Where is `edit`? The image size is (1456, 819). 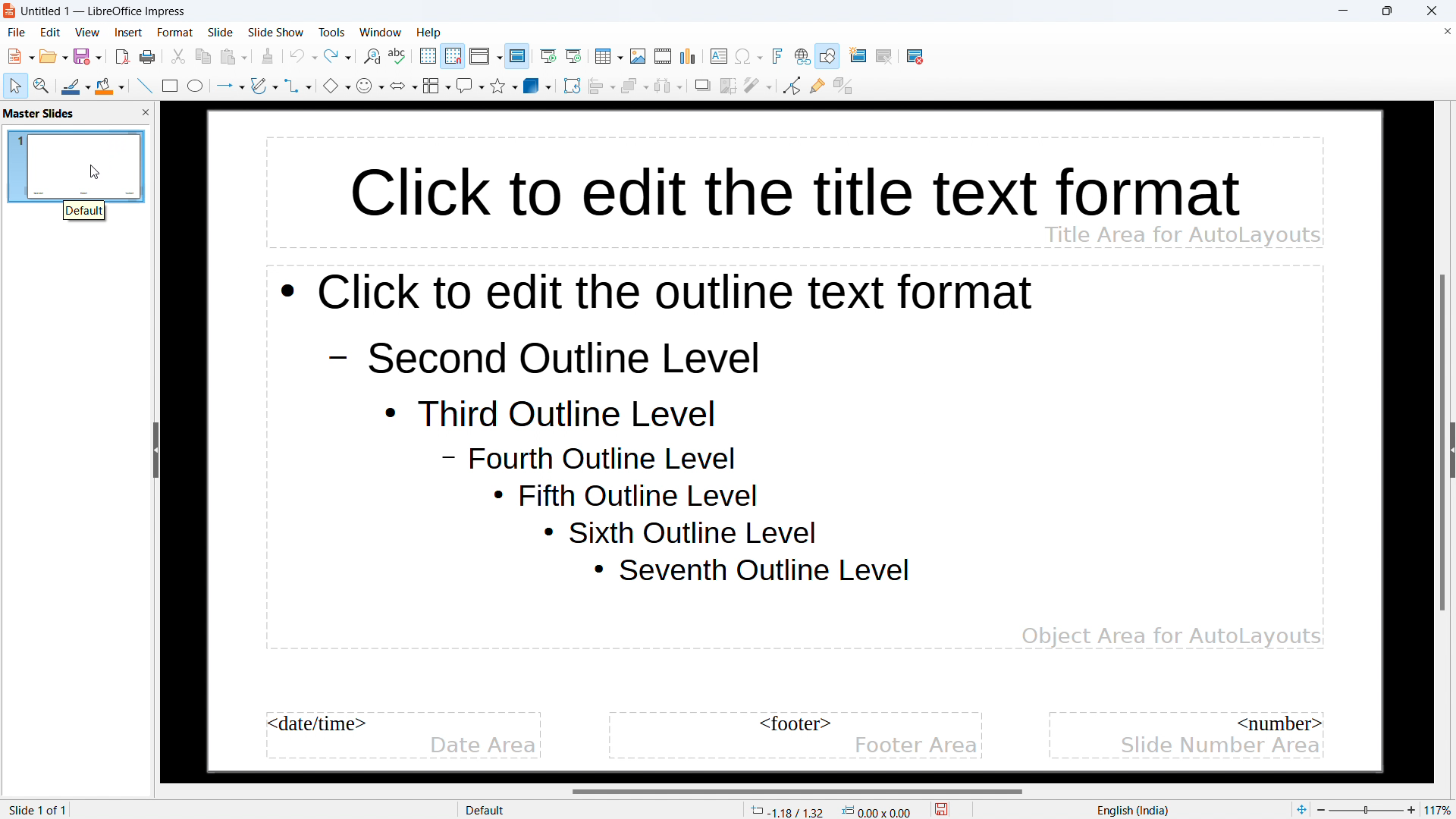
edit is located at coordinates (51, 33).